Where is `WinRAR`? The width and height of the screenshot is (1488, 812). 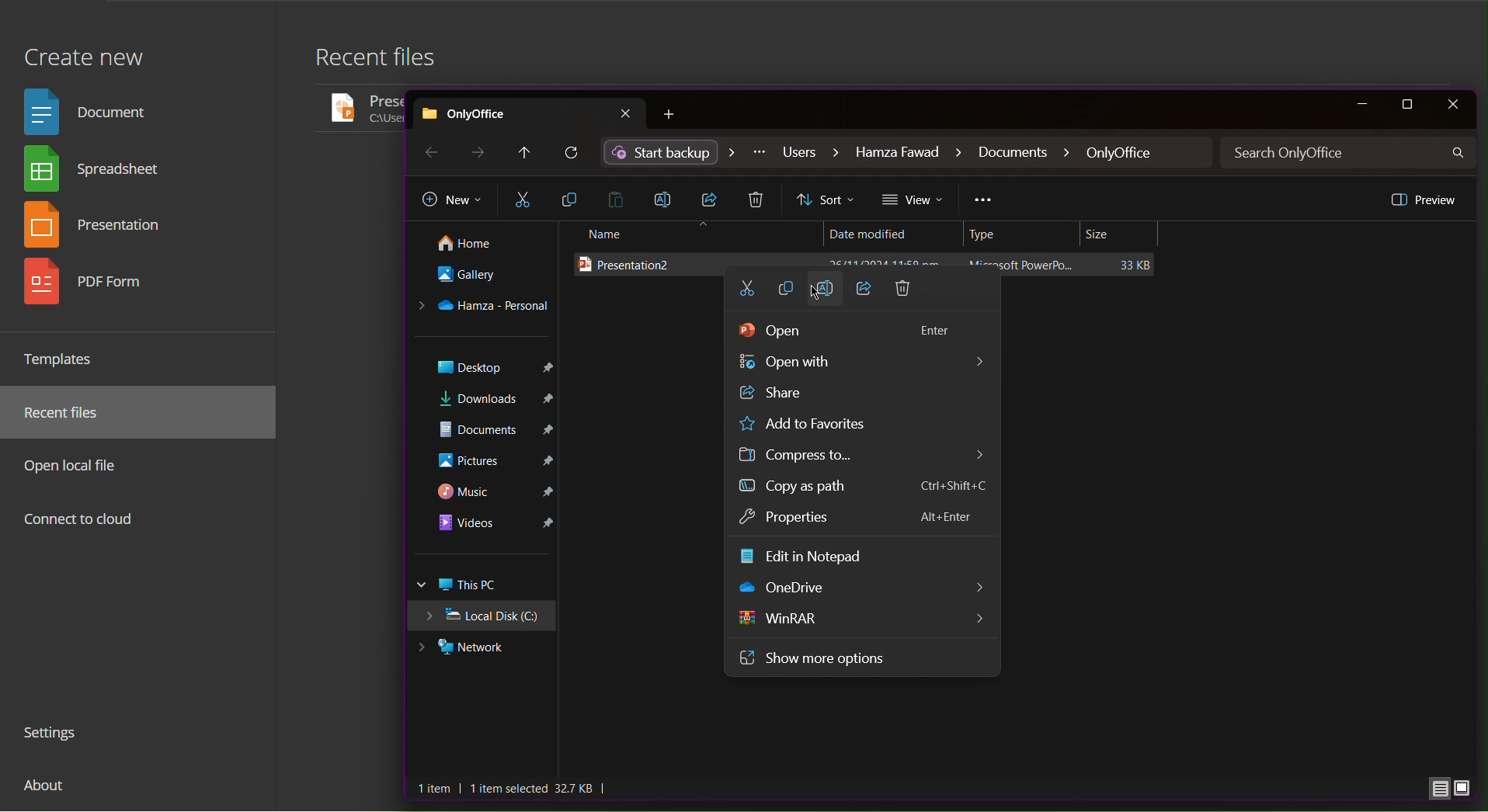
WinRAR is located at coordinates (783, 619).